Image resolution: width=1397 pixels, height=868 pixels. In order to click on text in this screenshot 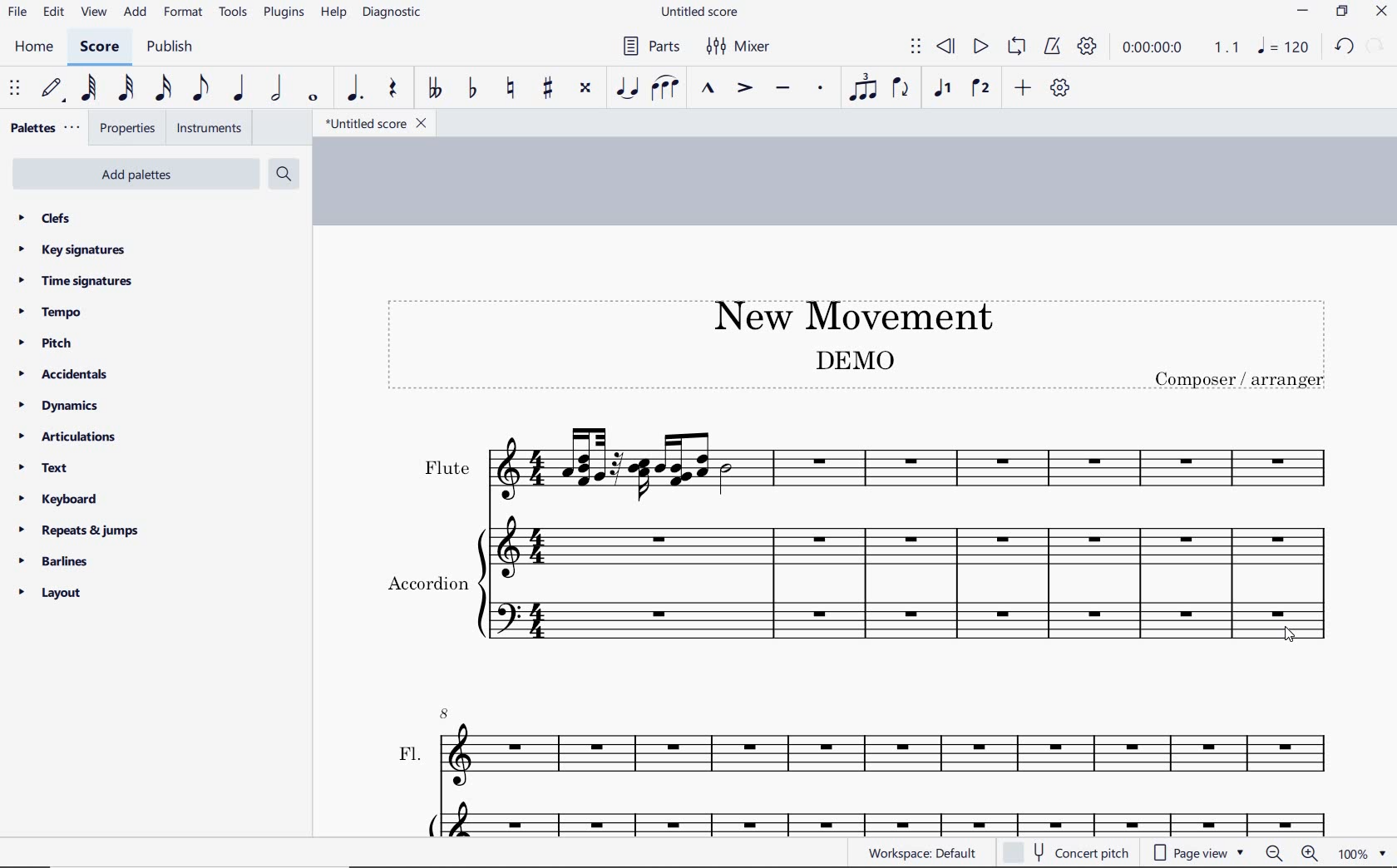, I will do `click(427, 580)`.